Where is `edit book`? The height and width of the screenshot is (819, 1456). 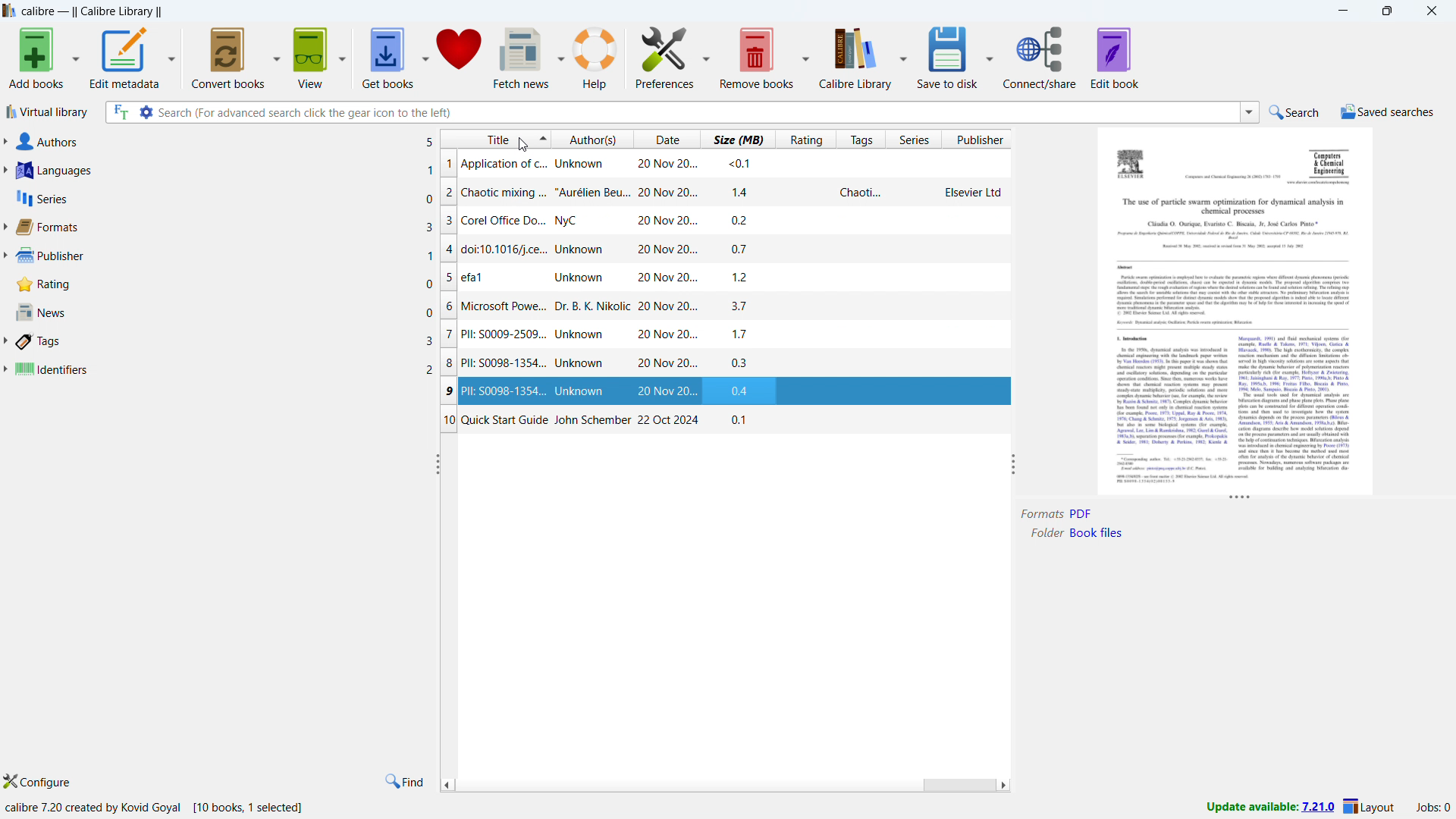 edit book is located at coordinates (1116, 58).